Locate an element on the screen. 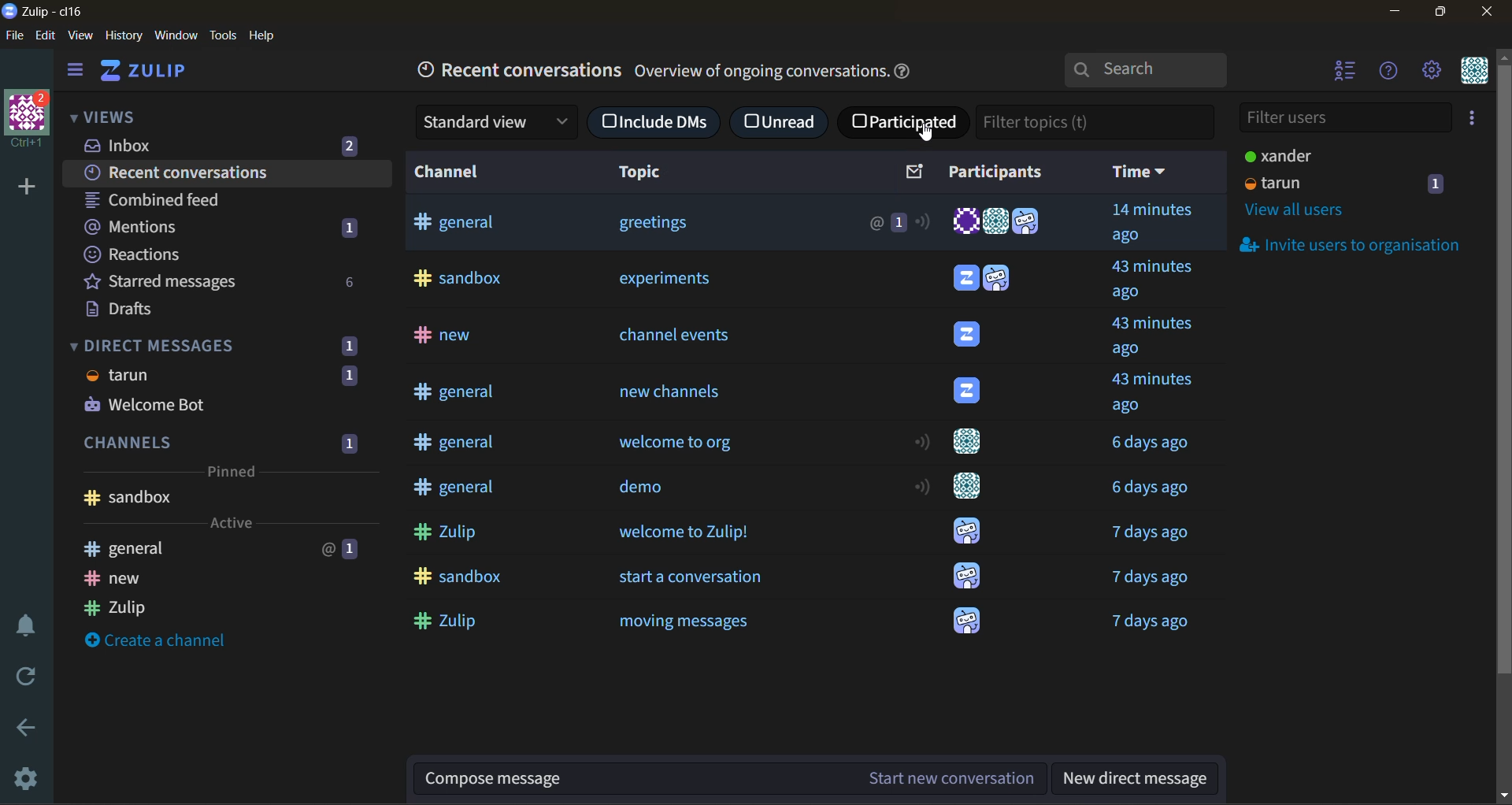 The width and height of the screenshot is (1512, 805). time is located at coordinates (1151, 281).